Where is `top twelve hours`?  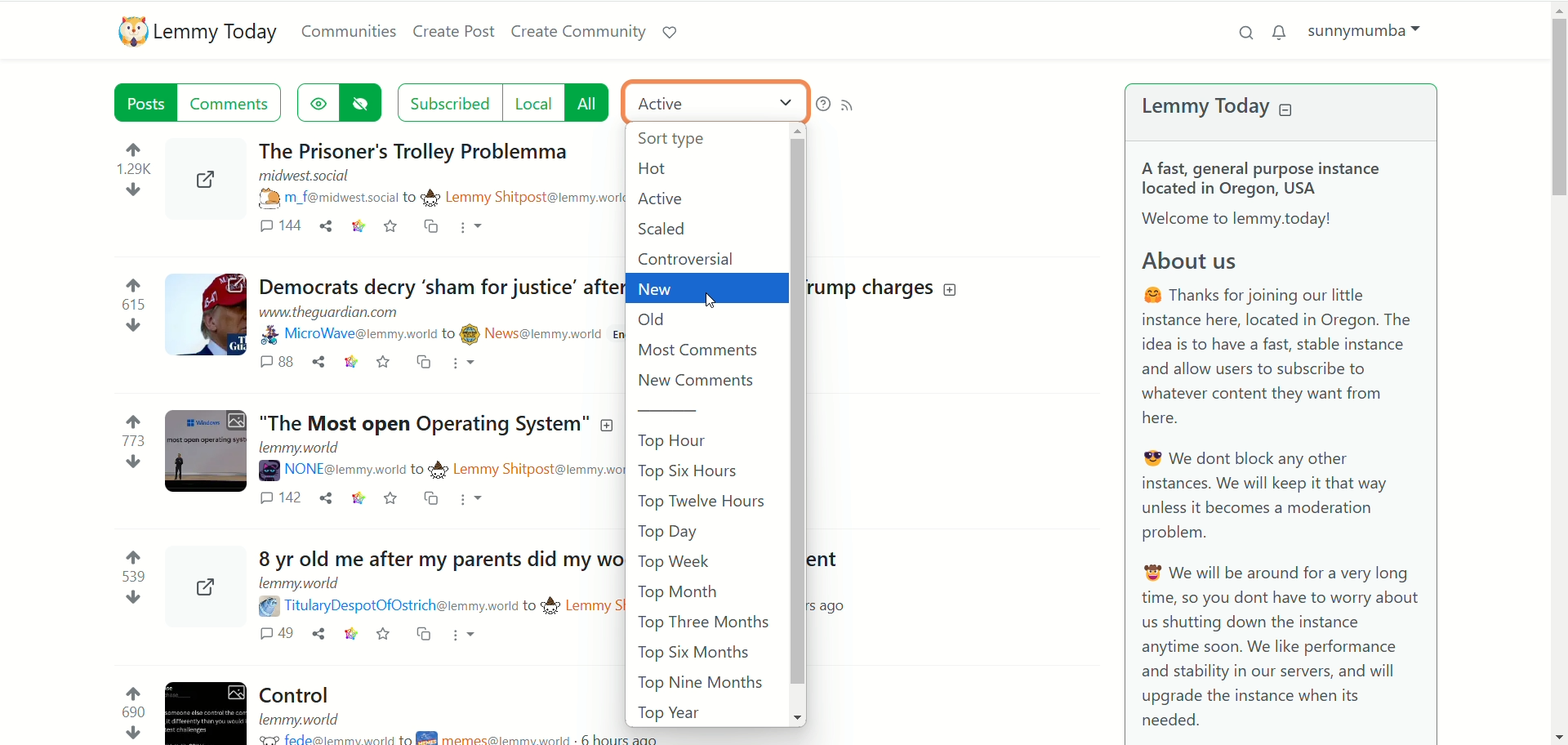 top twelve hours is located at coordinates (704, 505).